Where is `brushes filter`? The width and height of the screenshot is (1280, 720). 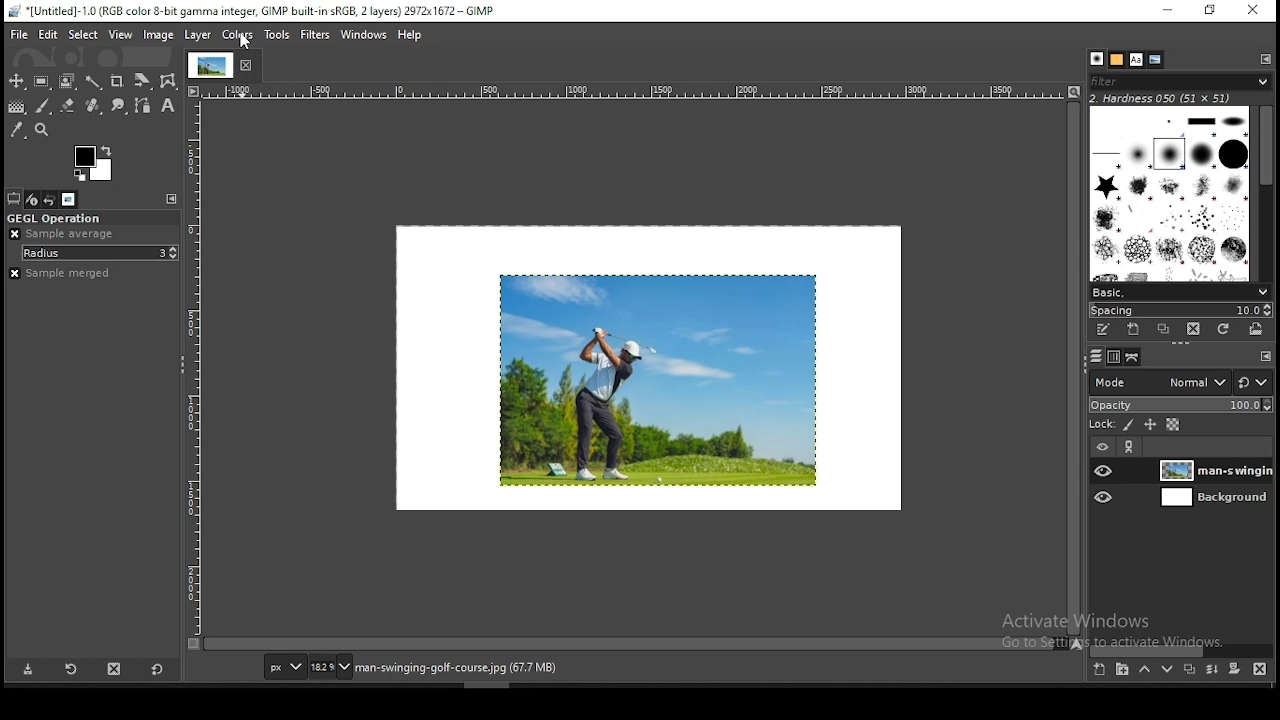 brushes filter is located at coordinates (1179, 82).